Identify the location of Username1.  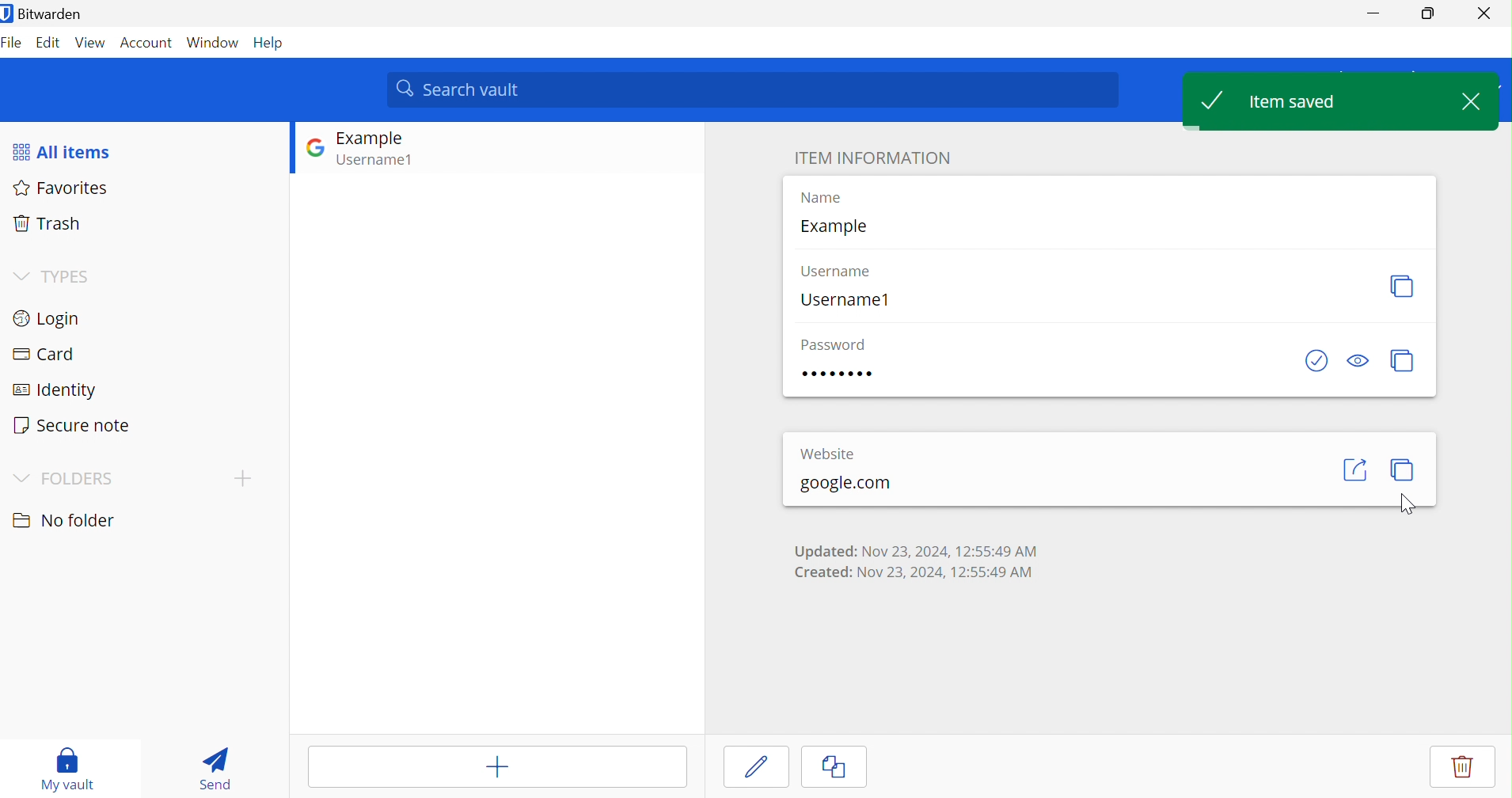
(846, 301).